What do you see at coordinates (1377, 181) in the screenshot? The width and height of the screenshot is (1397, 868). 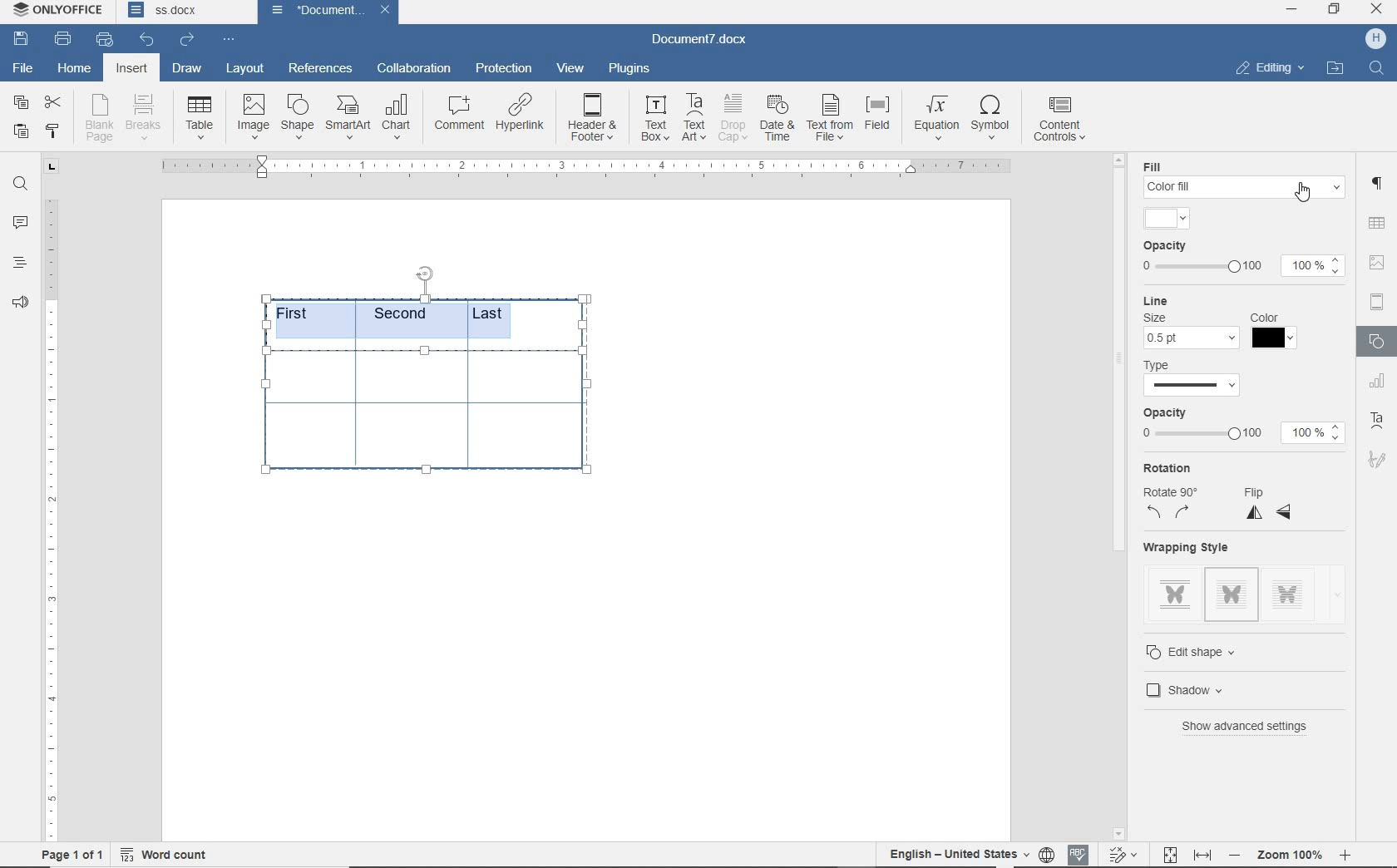 I see `PARAGRAPH SETTINGS` at bounding box center [1377, 181].